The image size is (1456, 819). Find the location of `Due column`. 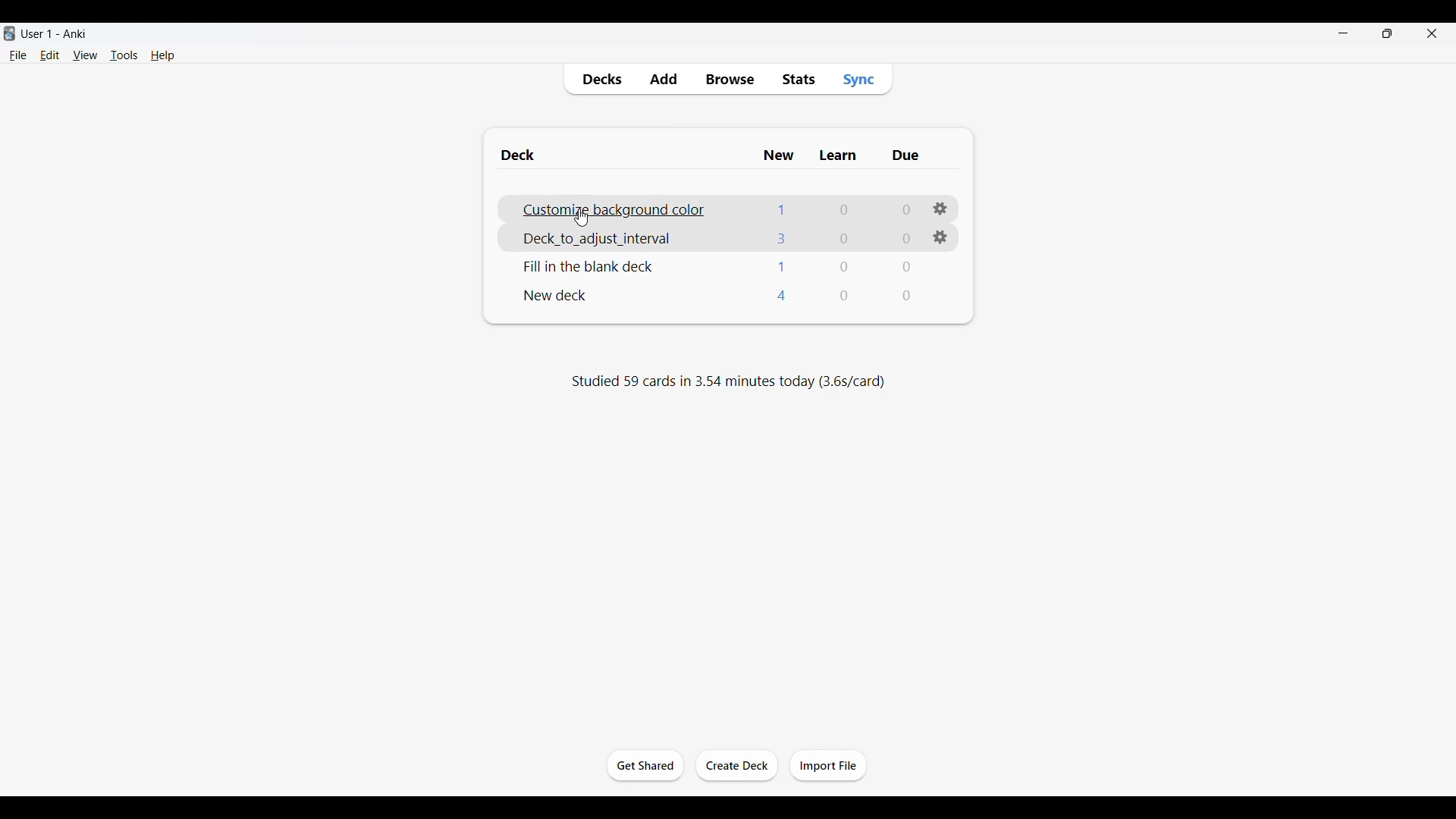

Due column is located at coordinates (905, 155).